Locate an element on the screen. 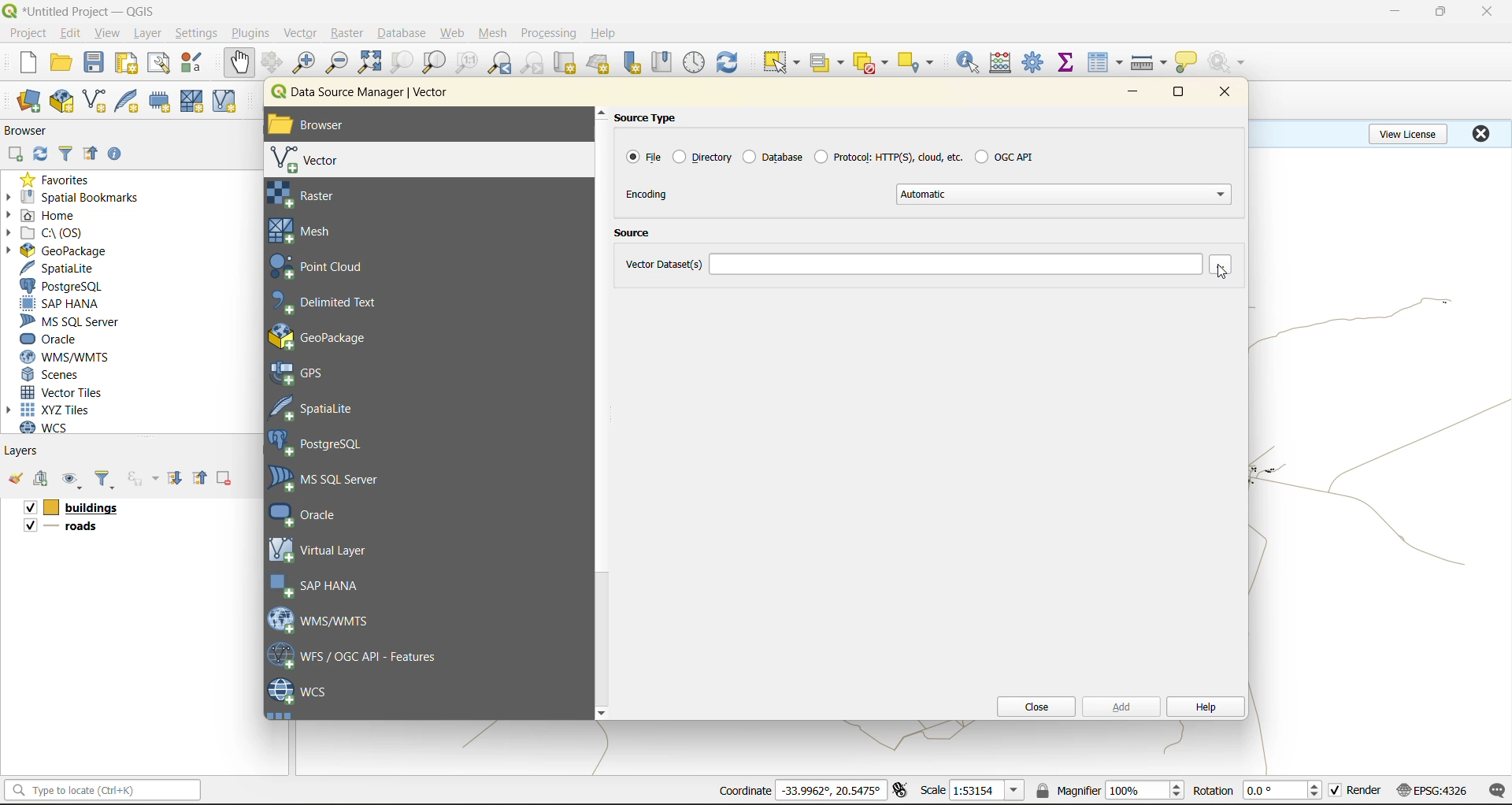 This screenshot has height=805, width=1512. vector dataset is located at coordinates (956, 262).